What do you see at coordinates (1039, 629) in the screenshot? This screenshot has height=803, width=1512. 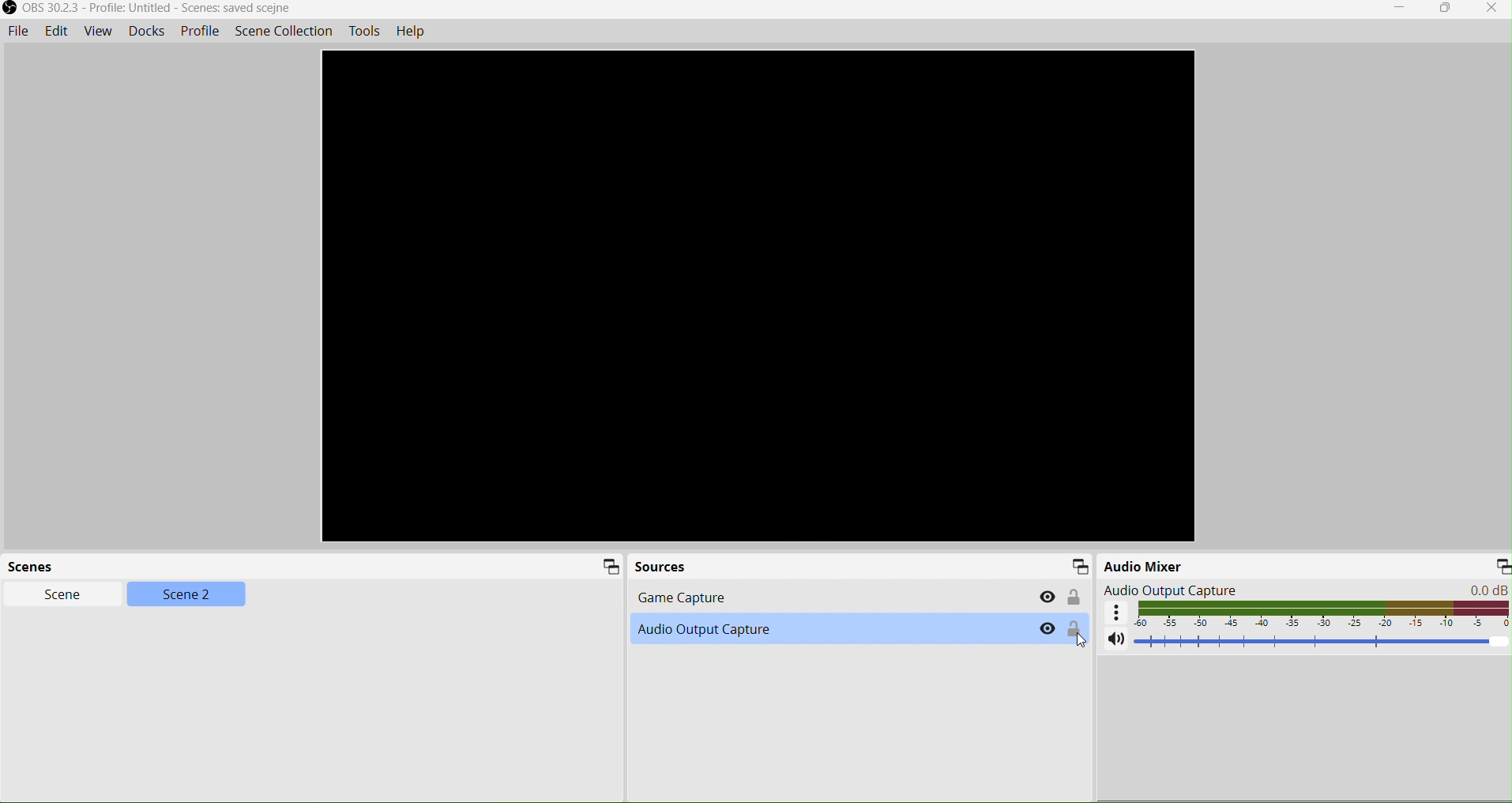 I see `Hide` at bounding box center [1039, 629].